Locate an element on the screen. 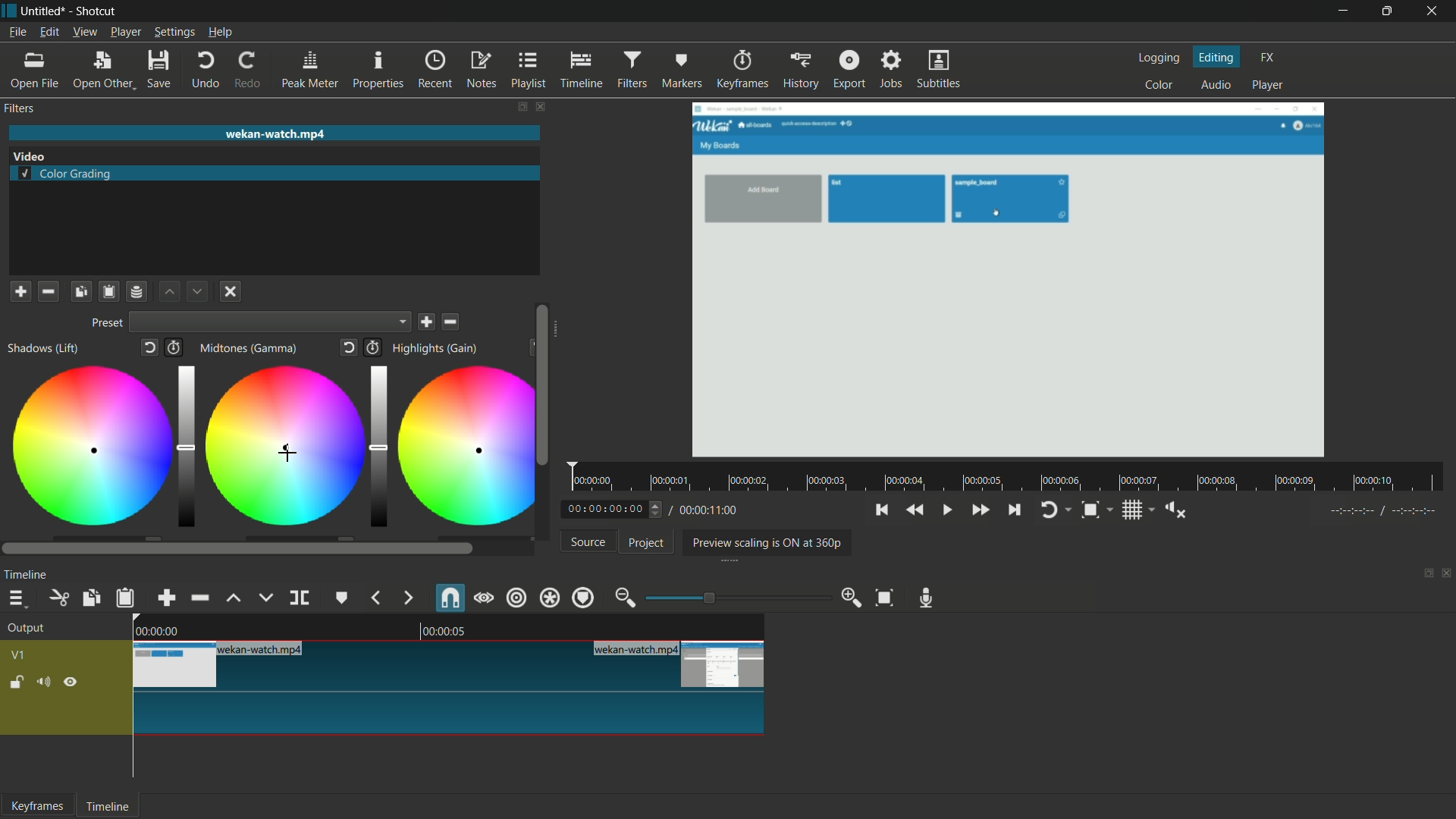  settings menu is located at coordinates (174, 32).